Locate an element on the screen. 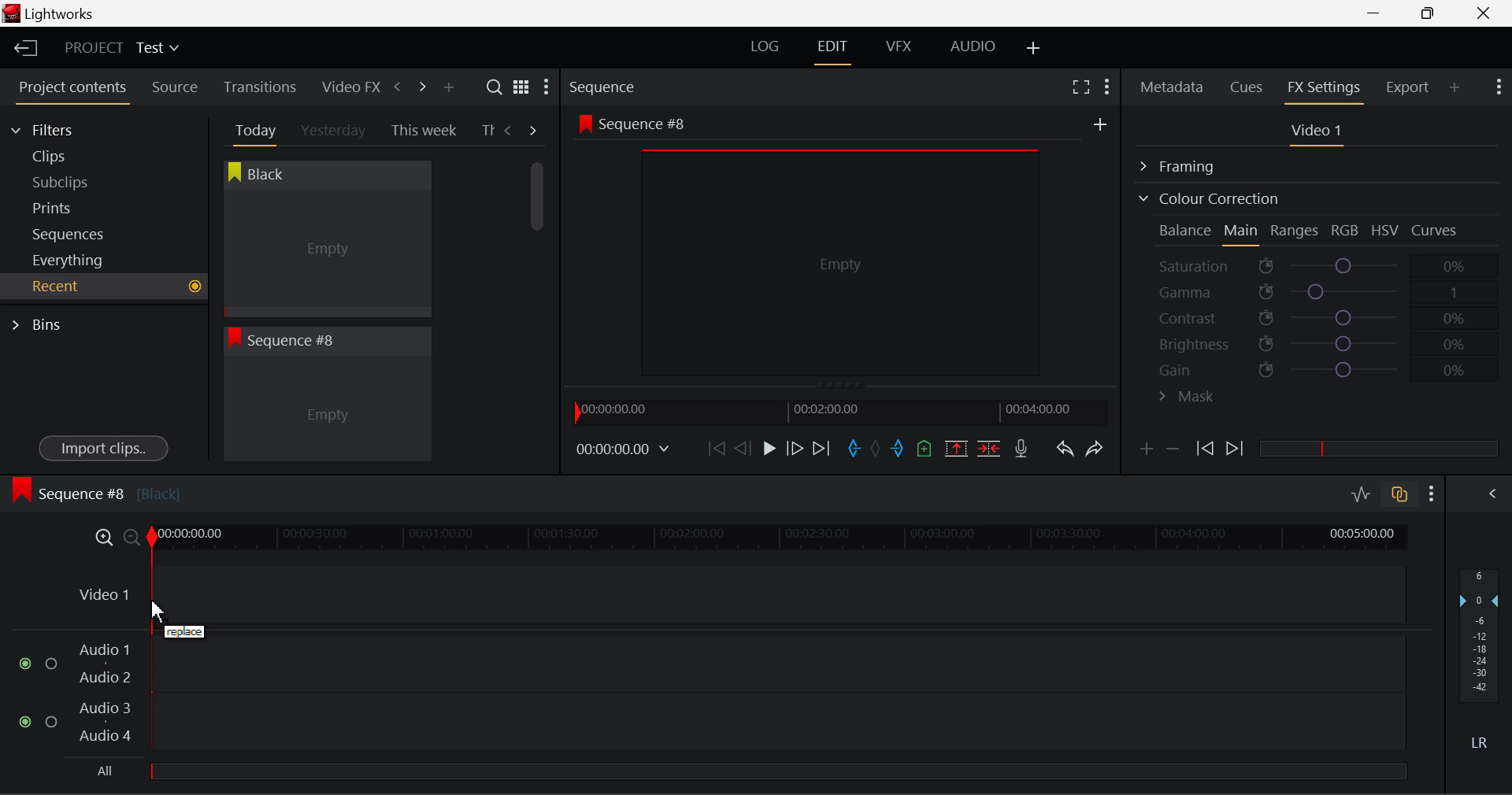 The height and width of the screenshot is (795, 1512). Show Settings is located at coordinates (1432, 494).